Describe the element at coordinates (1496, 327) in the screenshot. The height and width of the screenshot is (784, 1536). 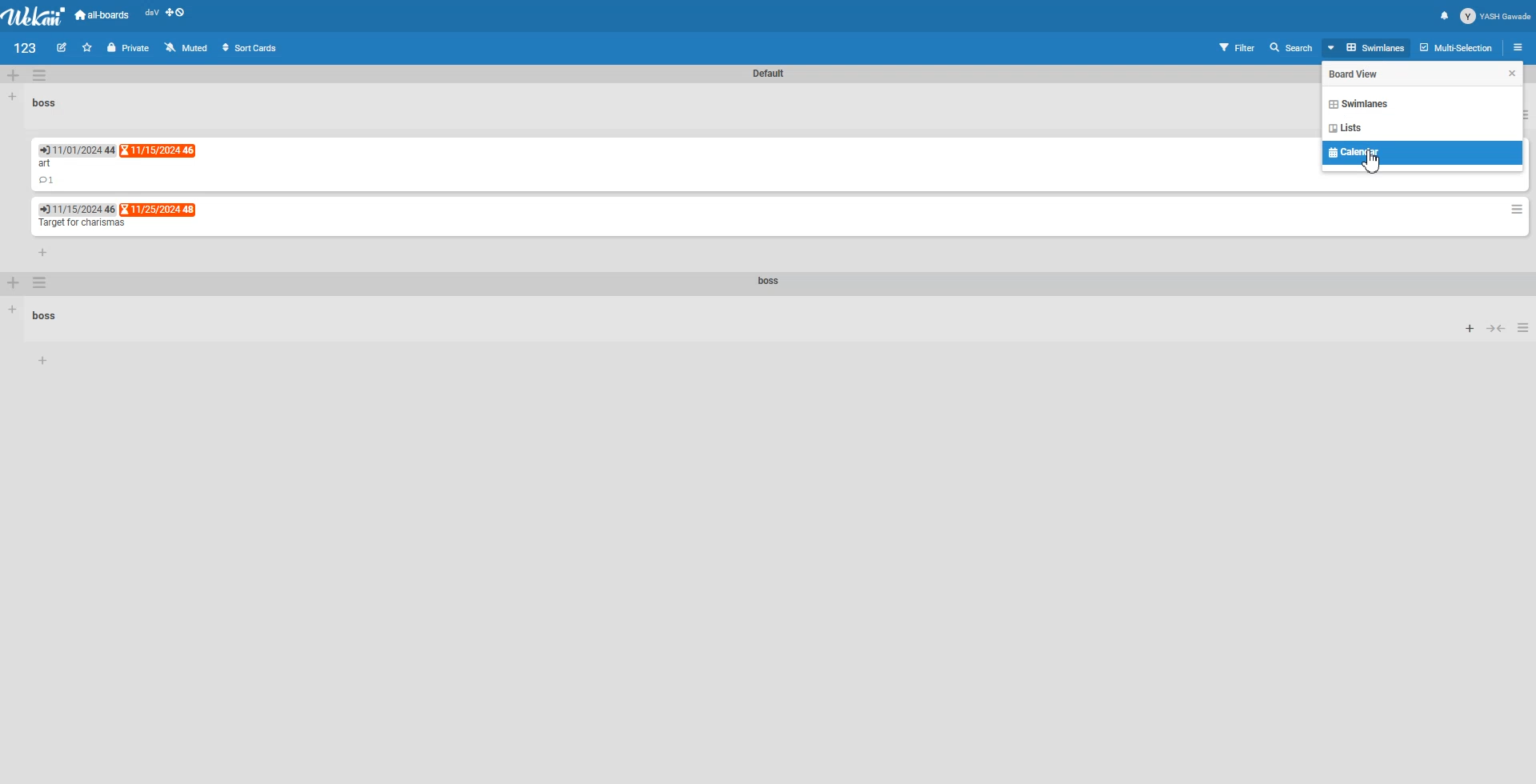
I see `Collapse` at that location.